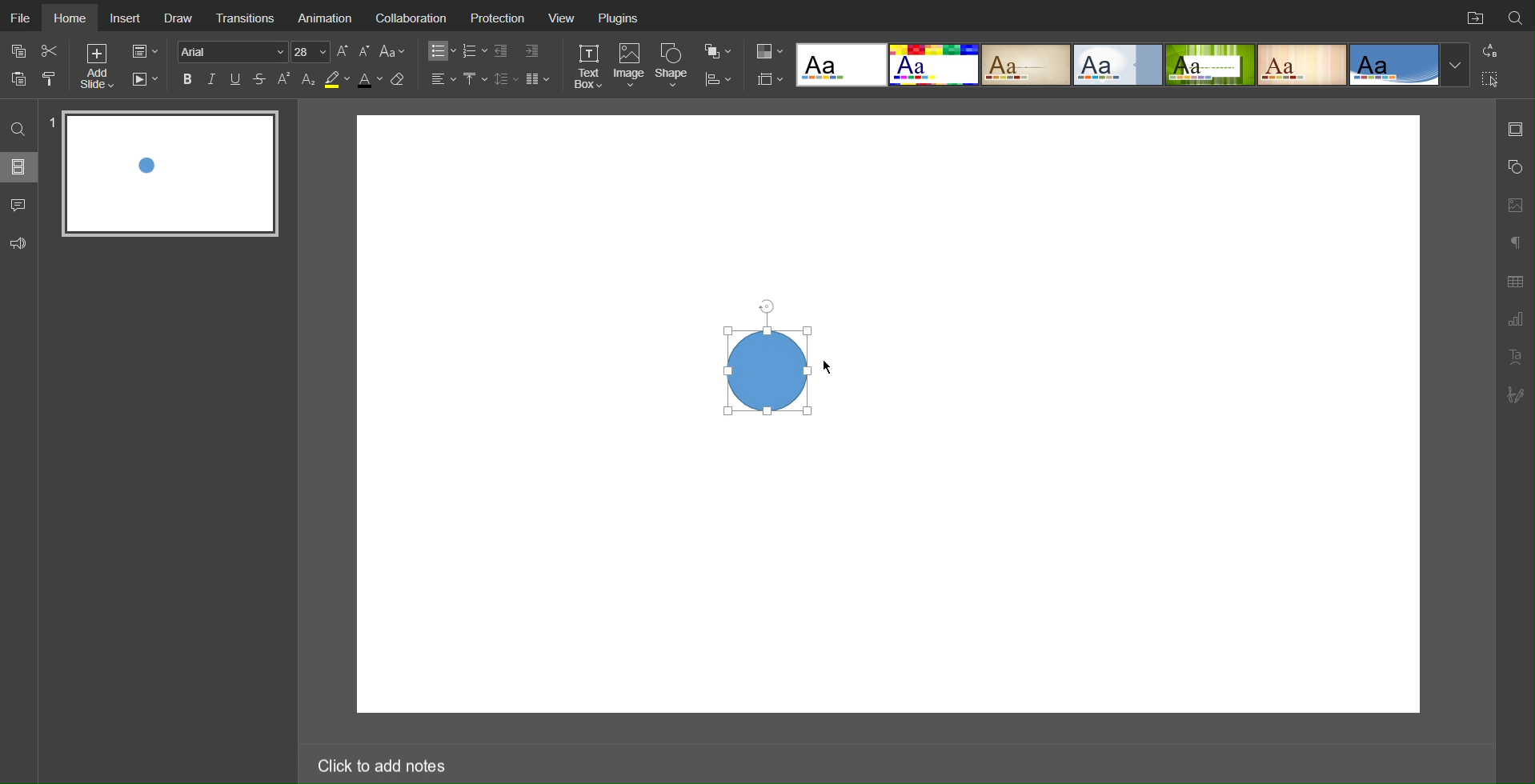 The width and height of the screenshot is (1535, 784). What do you see at coordinates (474, 51) in the screenshot?
I see `Number List` at bounding box center [474, 51].